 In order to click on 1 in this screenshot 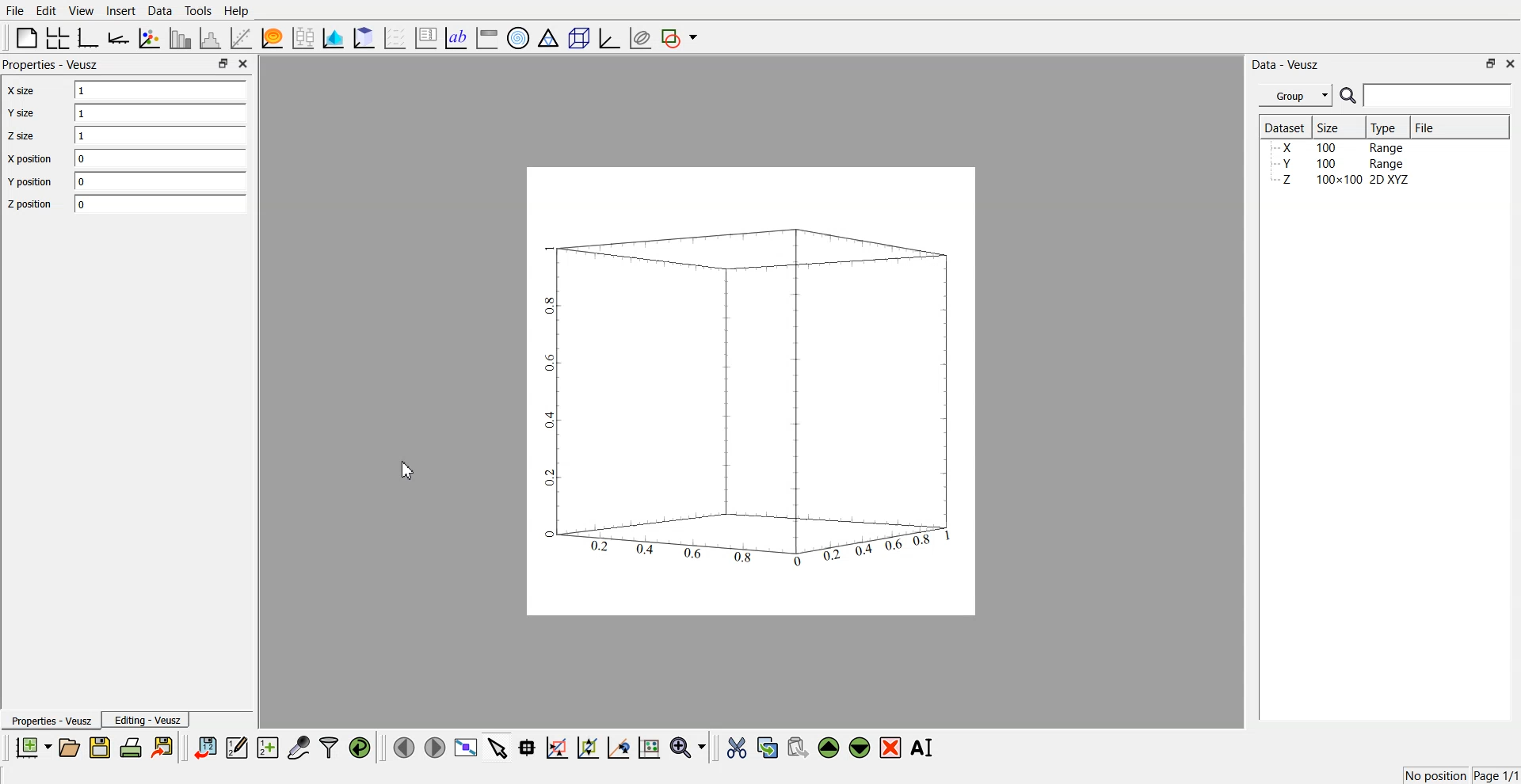, I will do `click(161, 135)`.